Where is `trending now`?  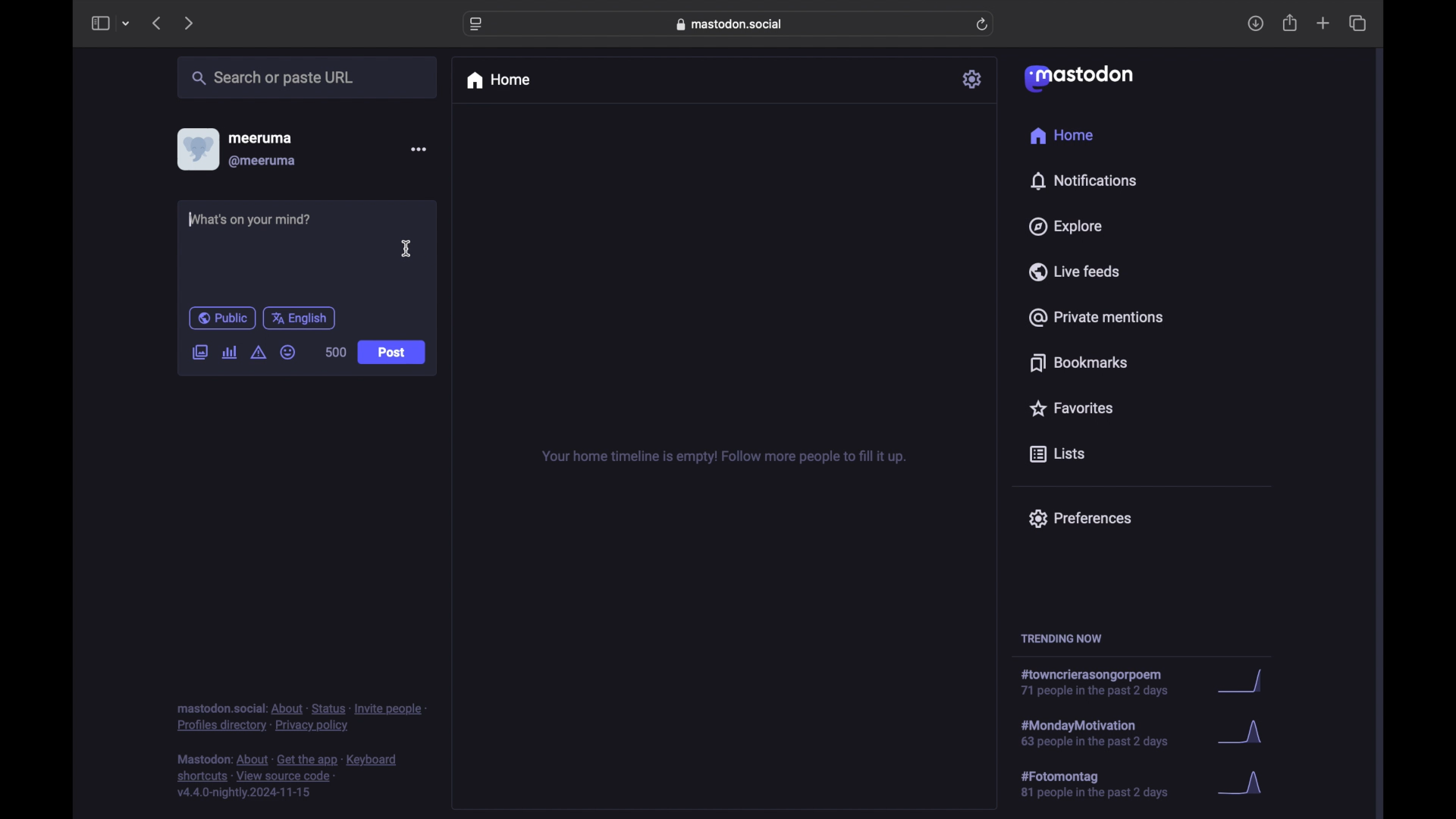
trending now is located at coordinates (1061, 639).